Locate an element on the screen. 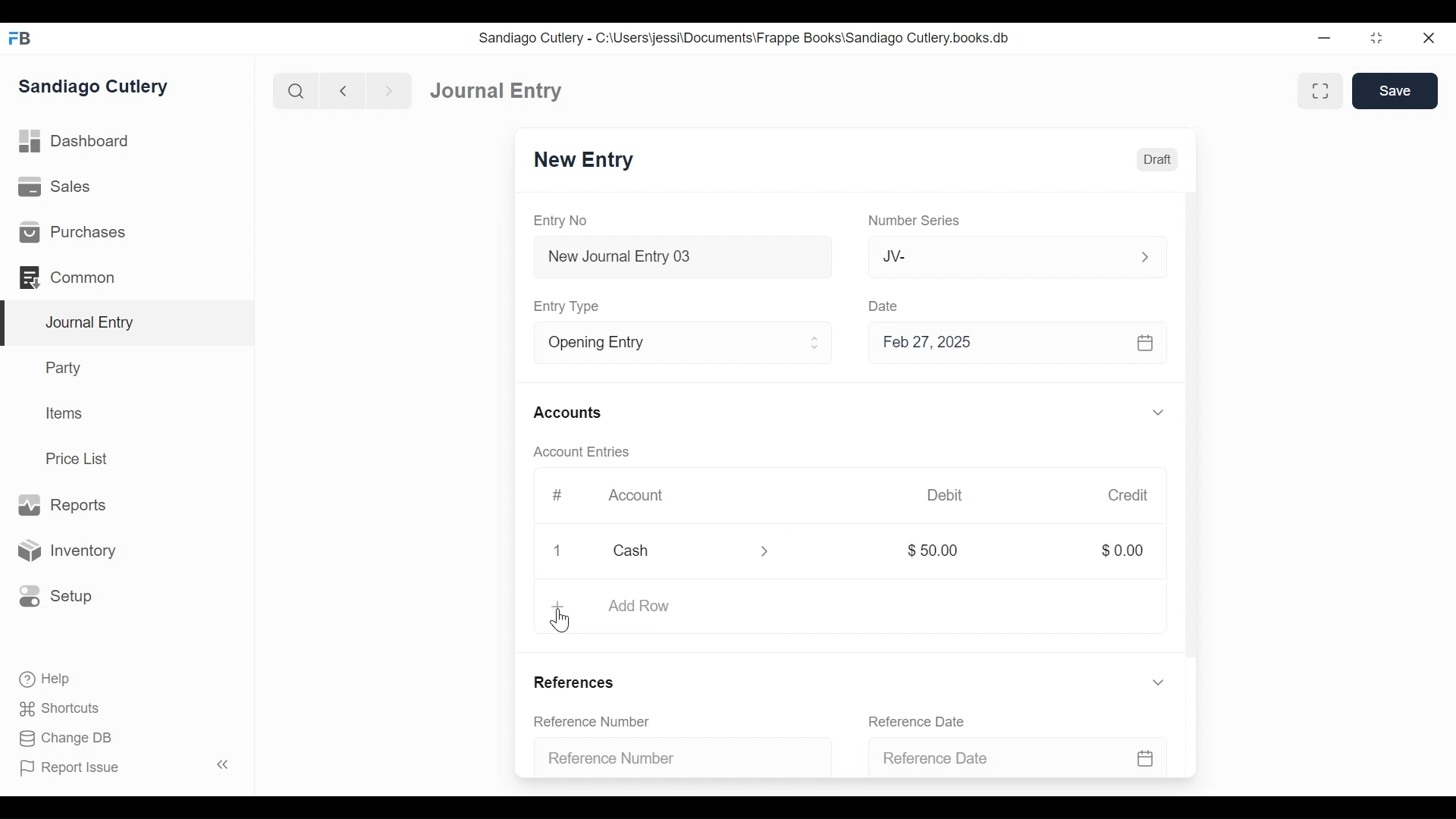 The width and height of the screenshot is (1456, 819). Commons is located at coordinates (66, 277).